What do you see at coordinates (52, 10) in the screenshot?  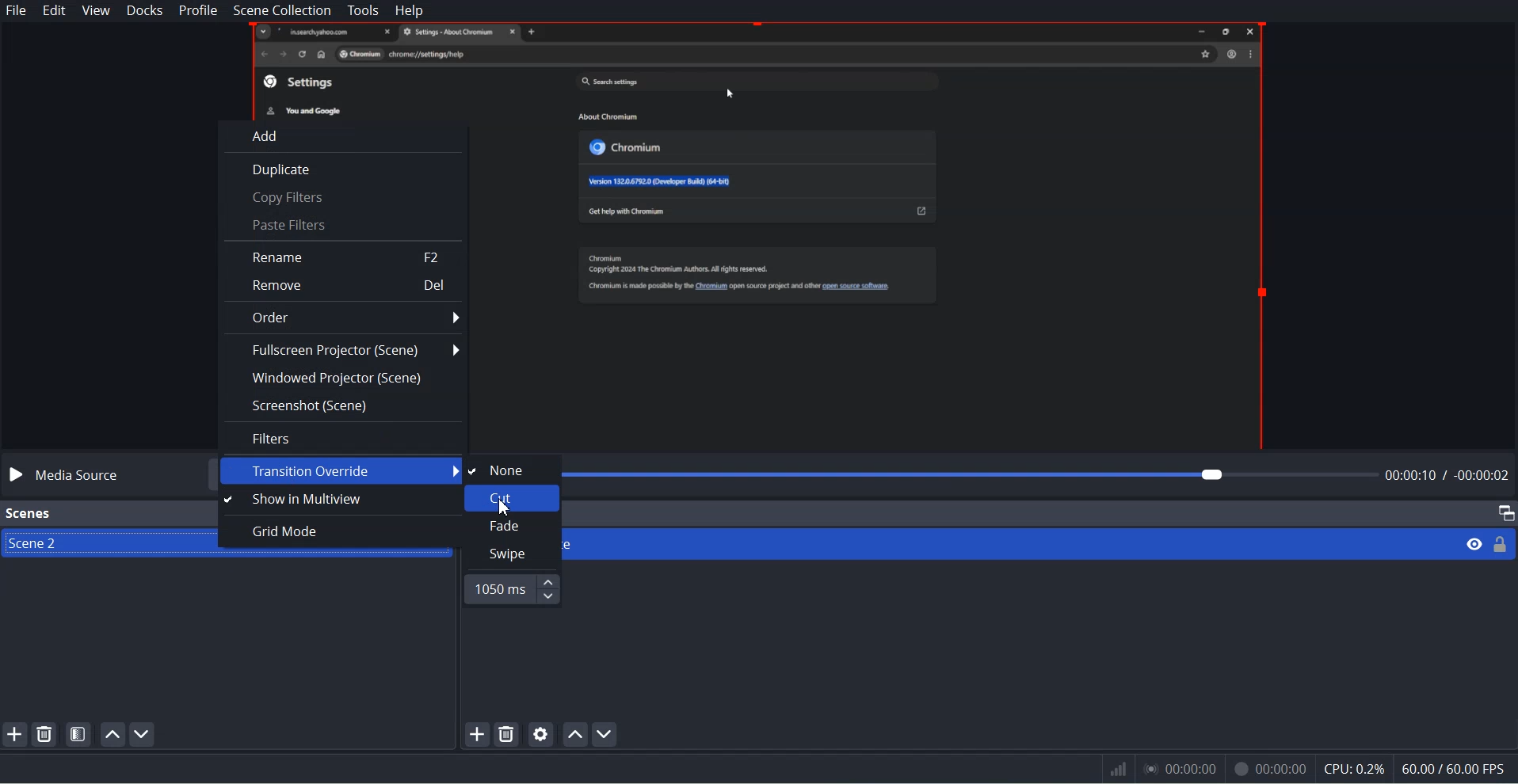 I see `Edit` at bounding box center [52, 10].